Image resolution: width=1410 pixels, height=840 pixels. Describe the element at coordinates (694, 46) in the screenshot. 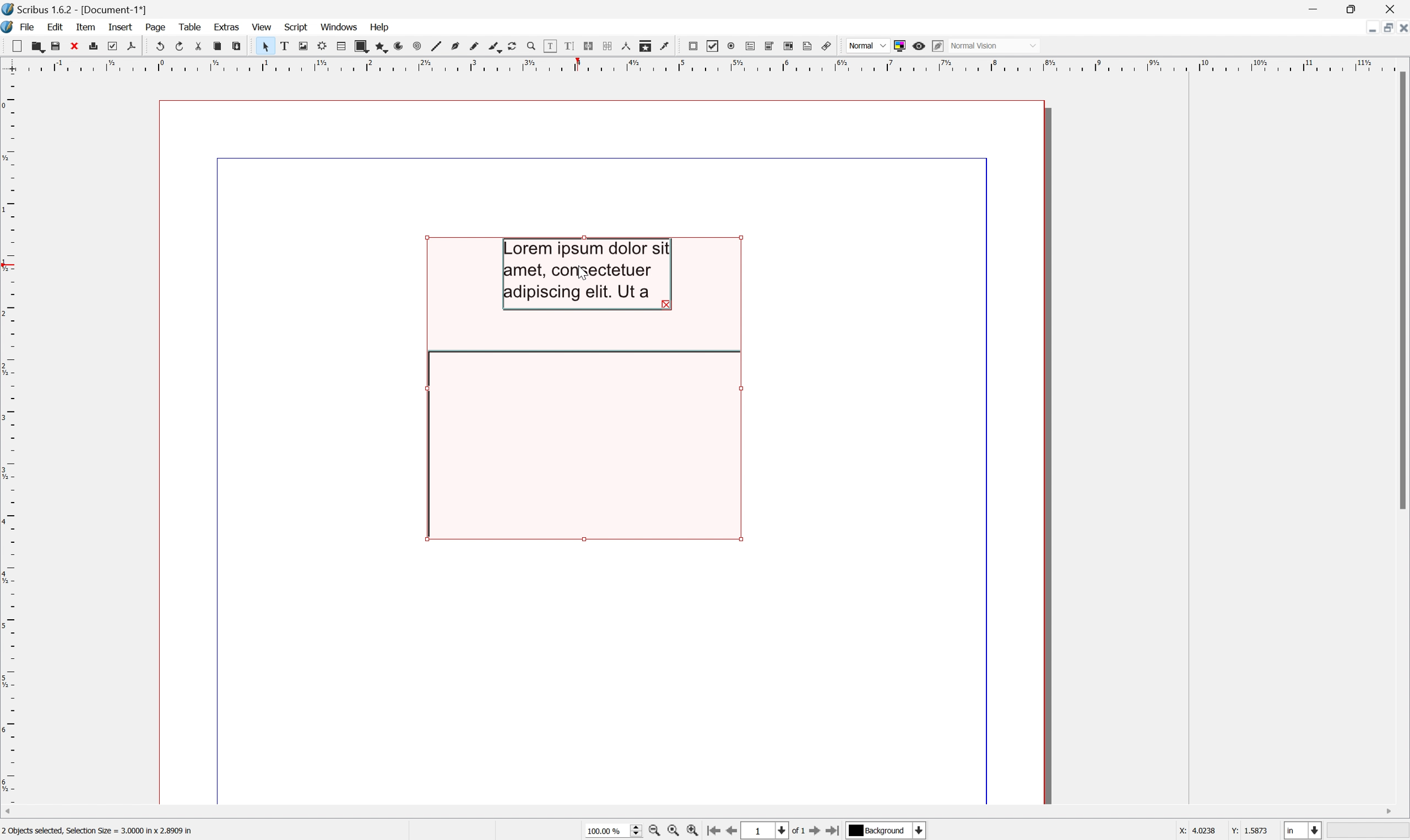

I see `PDF push button` at that location.